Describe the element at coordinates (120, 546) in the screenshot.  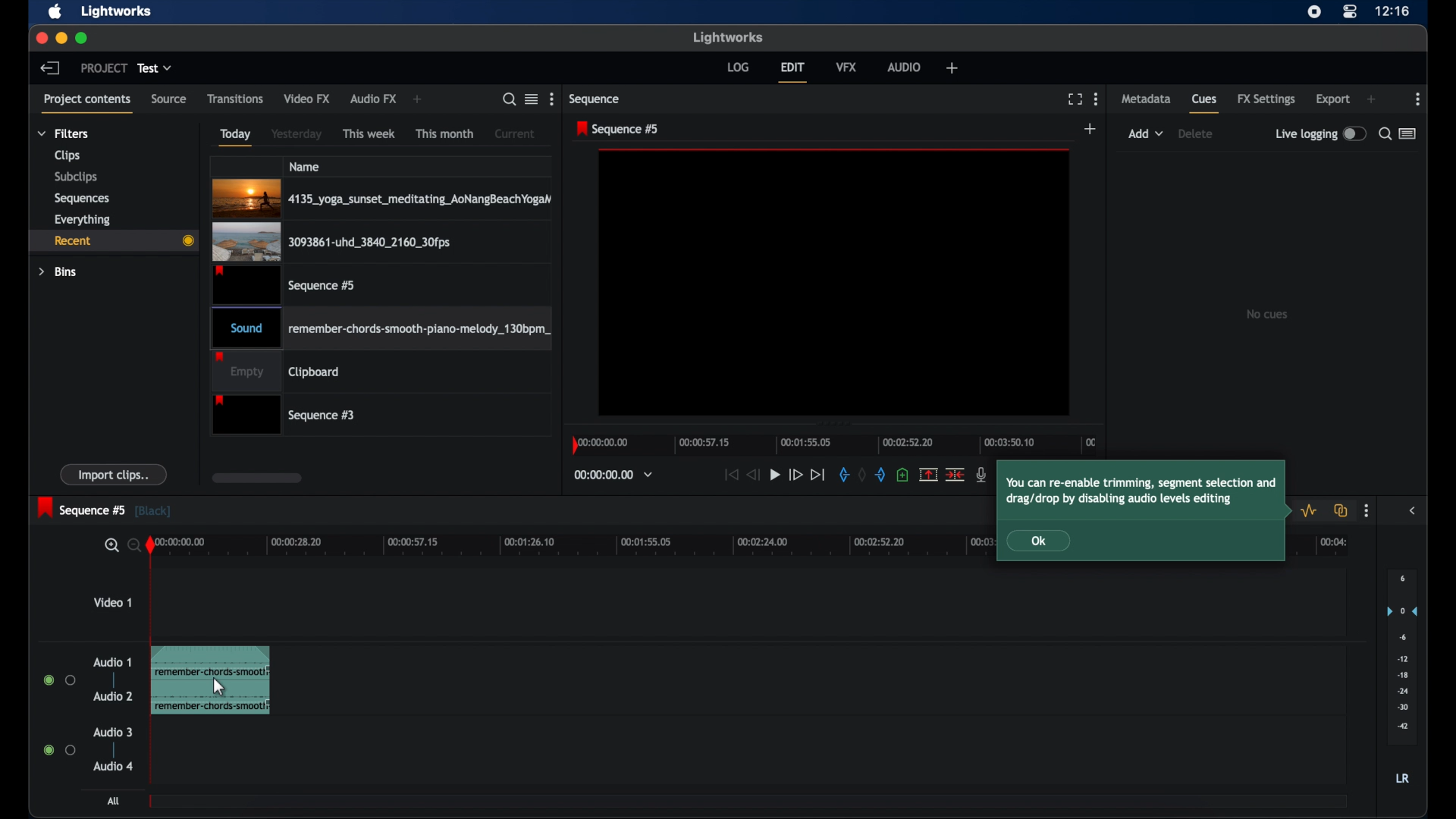
I see `search` at that location.